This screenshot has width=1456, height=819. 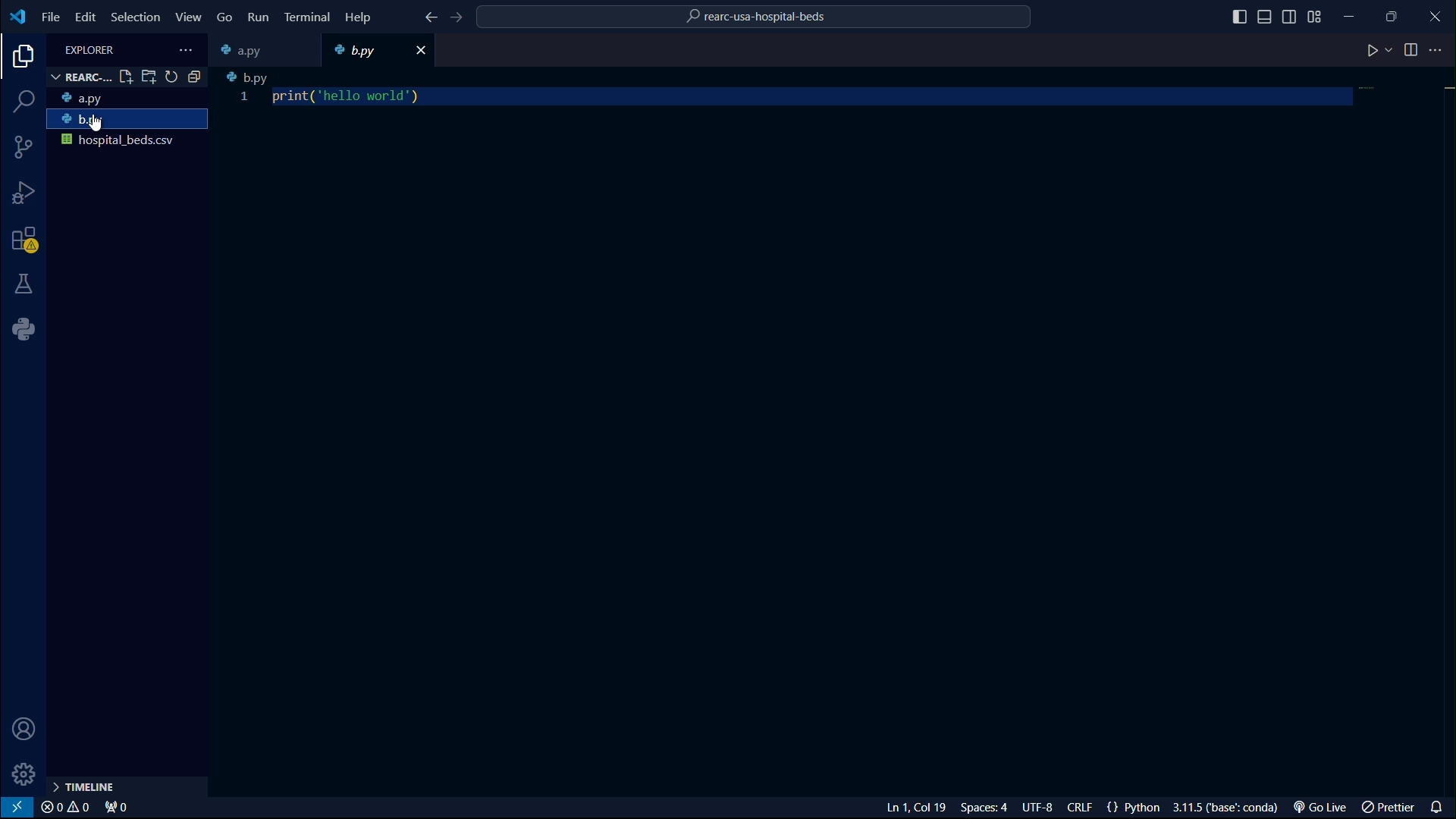 I want to click on problems, so click(x=67, y=808).